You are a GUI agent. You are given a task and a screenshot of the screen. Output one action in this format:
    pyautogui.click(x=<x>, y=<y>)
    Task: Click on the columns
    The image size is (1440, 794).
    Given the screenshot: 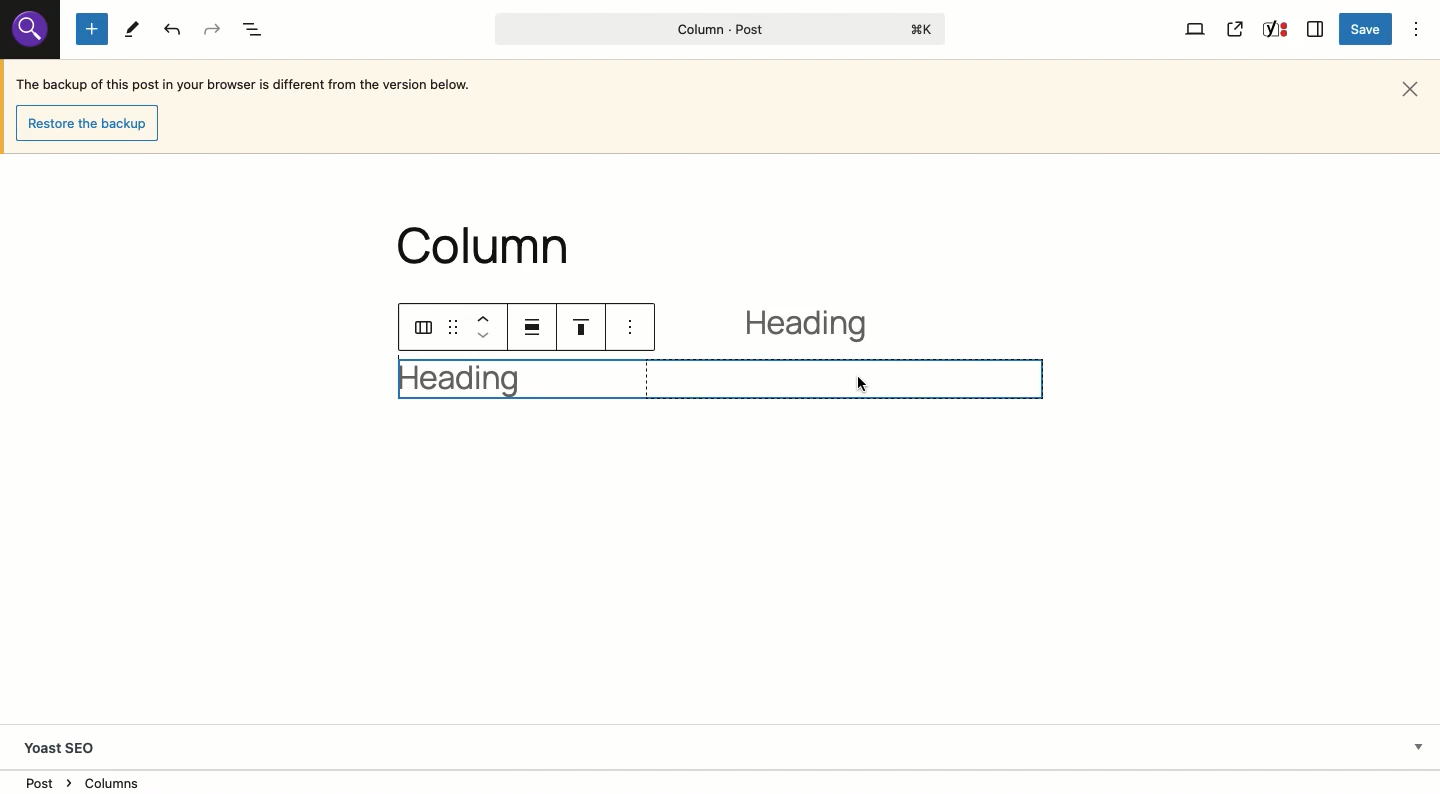 What is the action you would take?
    pyautogui.click(x=422, y=329)
    